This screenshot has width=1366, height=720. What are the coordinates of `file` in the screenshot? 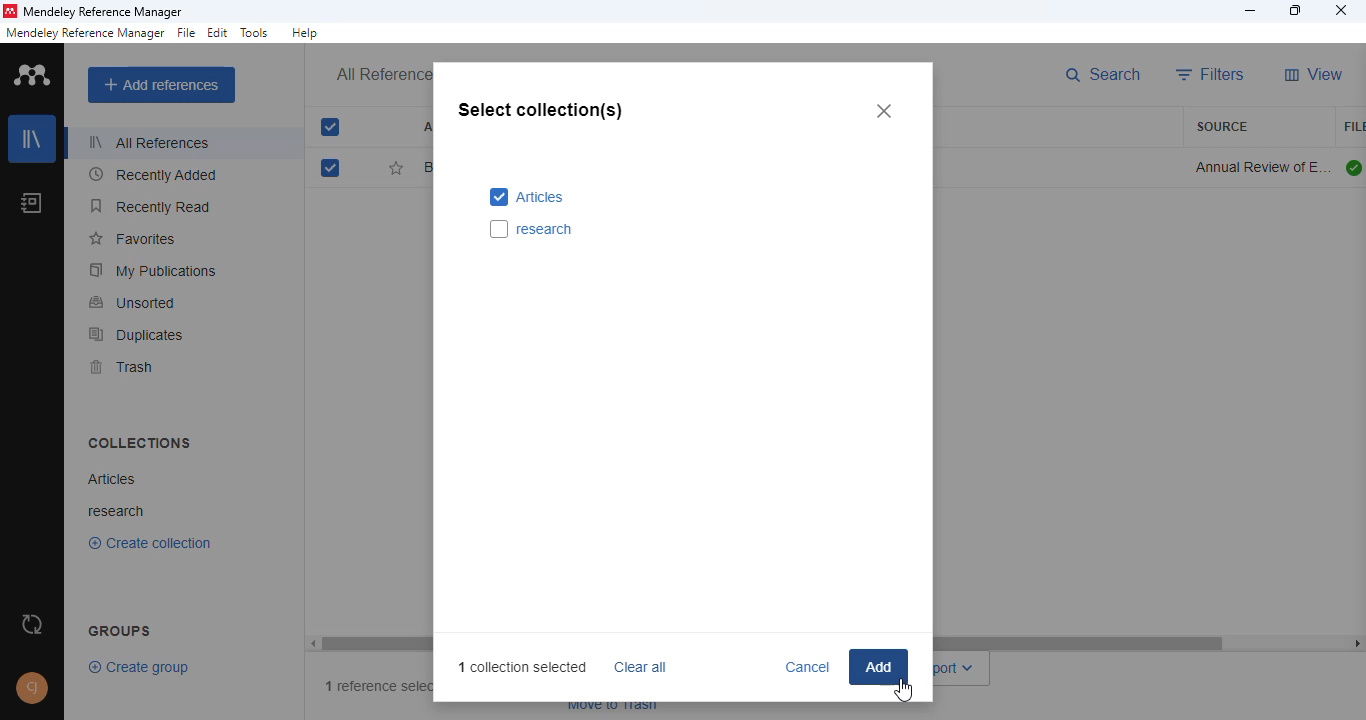 It's located at (185, 33).